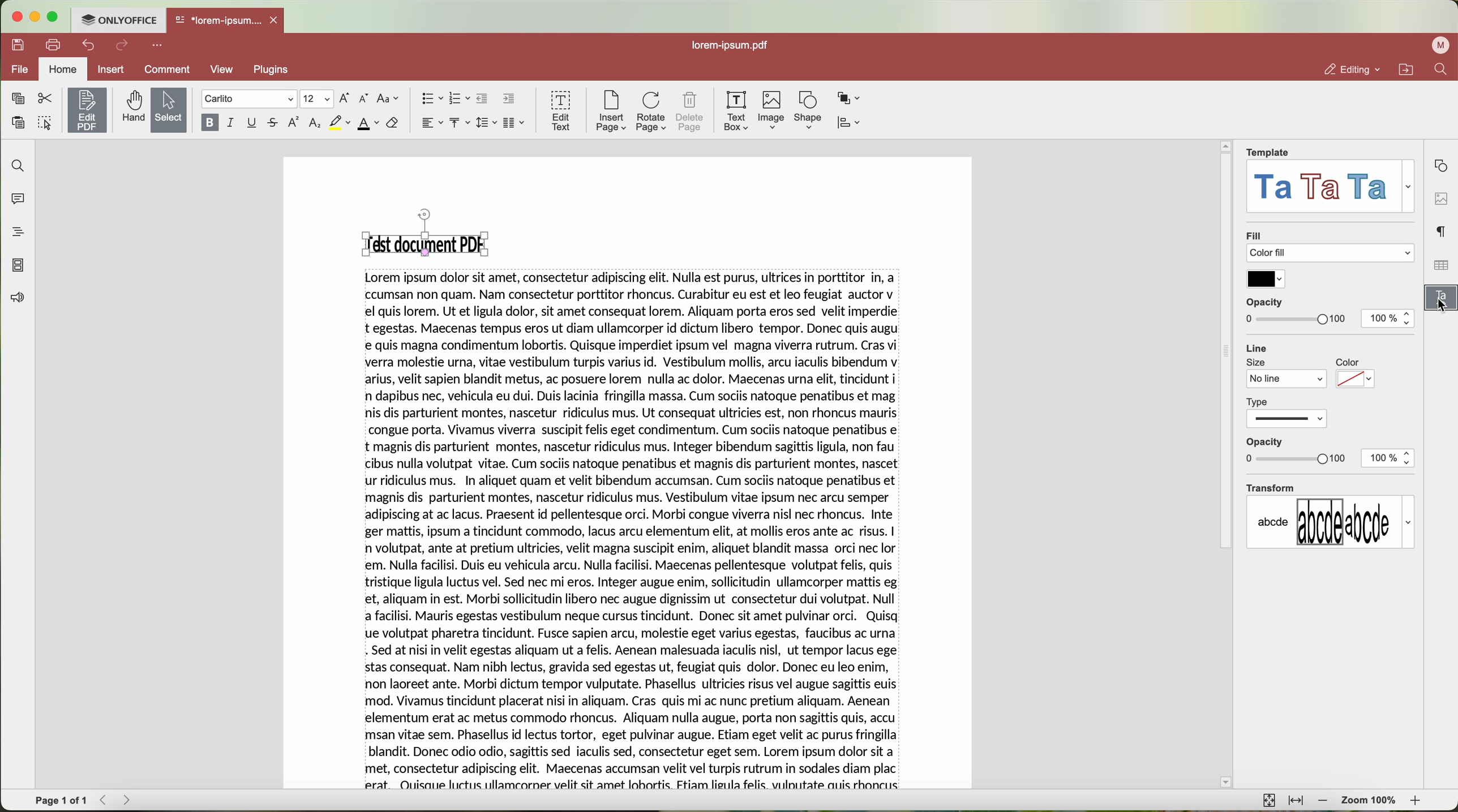  Describe the element at coordinates (1333, 254) in the screenshot. I see `color fill` at that location.